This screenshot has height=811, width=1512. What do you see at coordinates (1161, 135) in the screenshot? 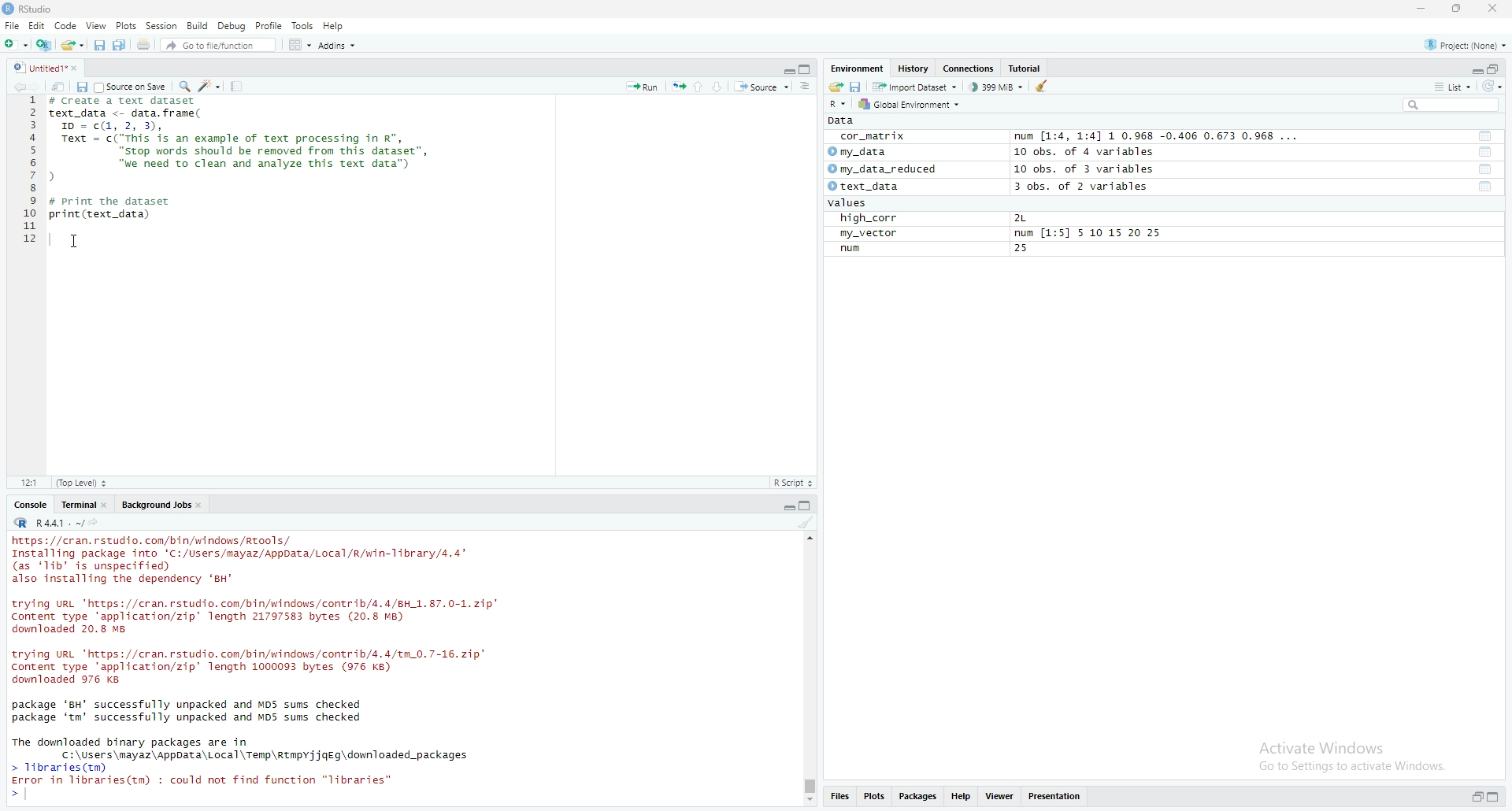
I see `num [1:4, 1:4] 1 0.968 -0.406 0.673 0.968 ...` at bounding box center [1161, 135].